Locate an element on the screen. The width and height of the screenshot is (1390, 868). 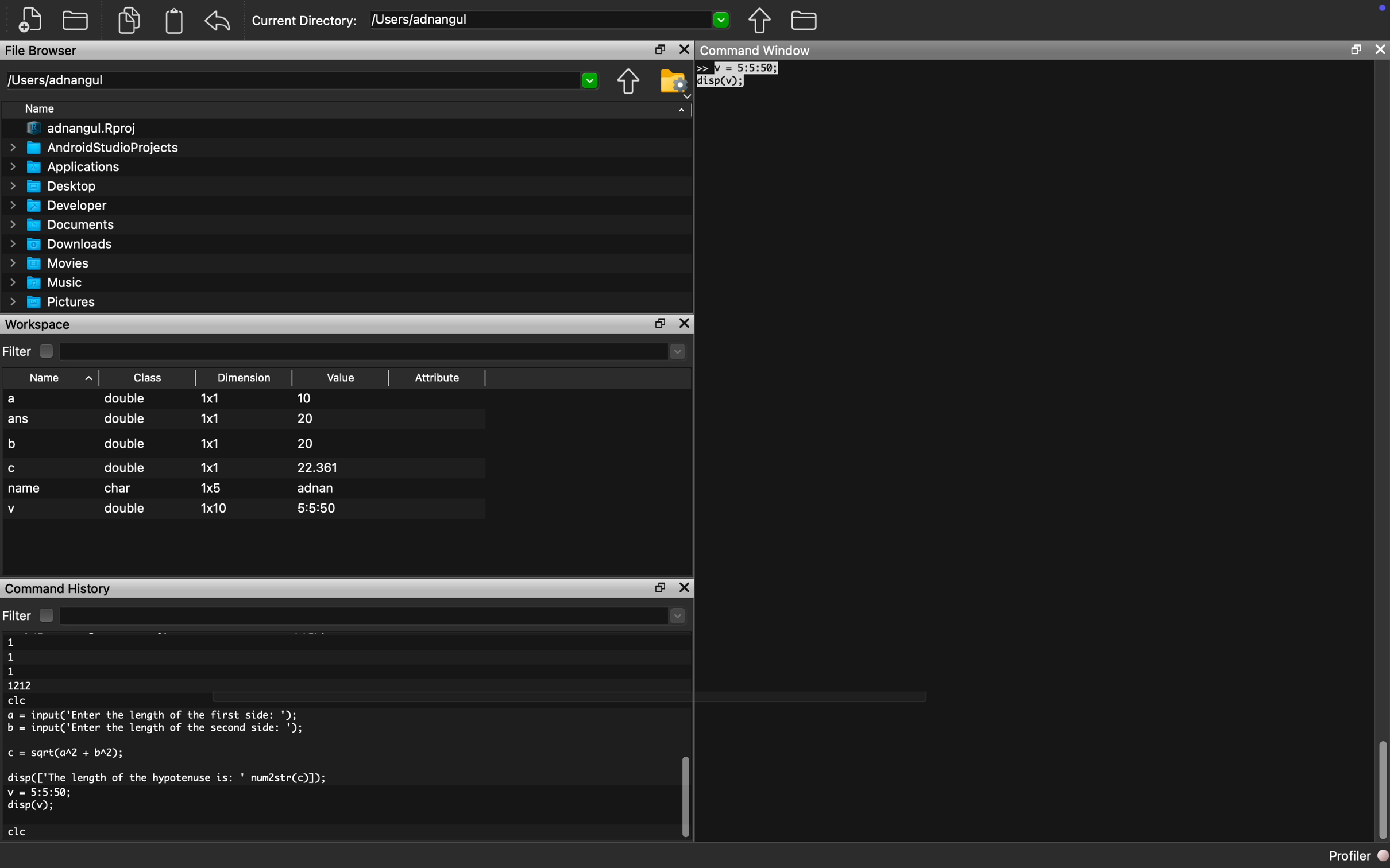
name is located at coordinates (25, 489).